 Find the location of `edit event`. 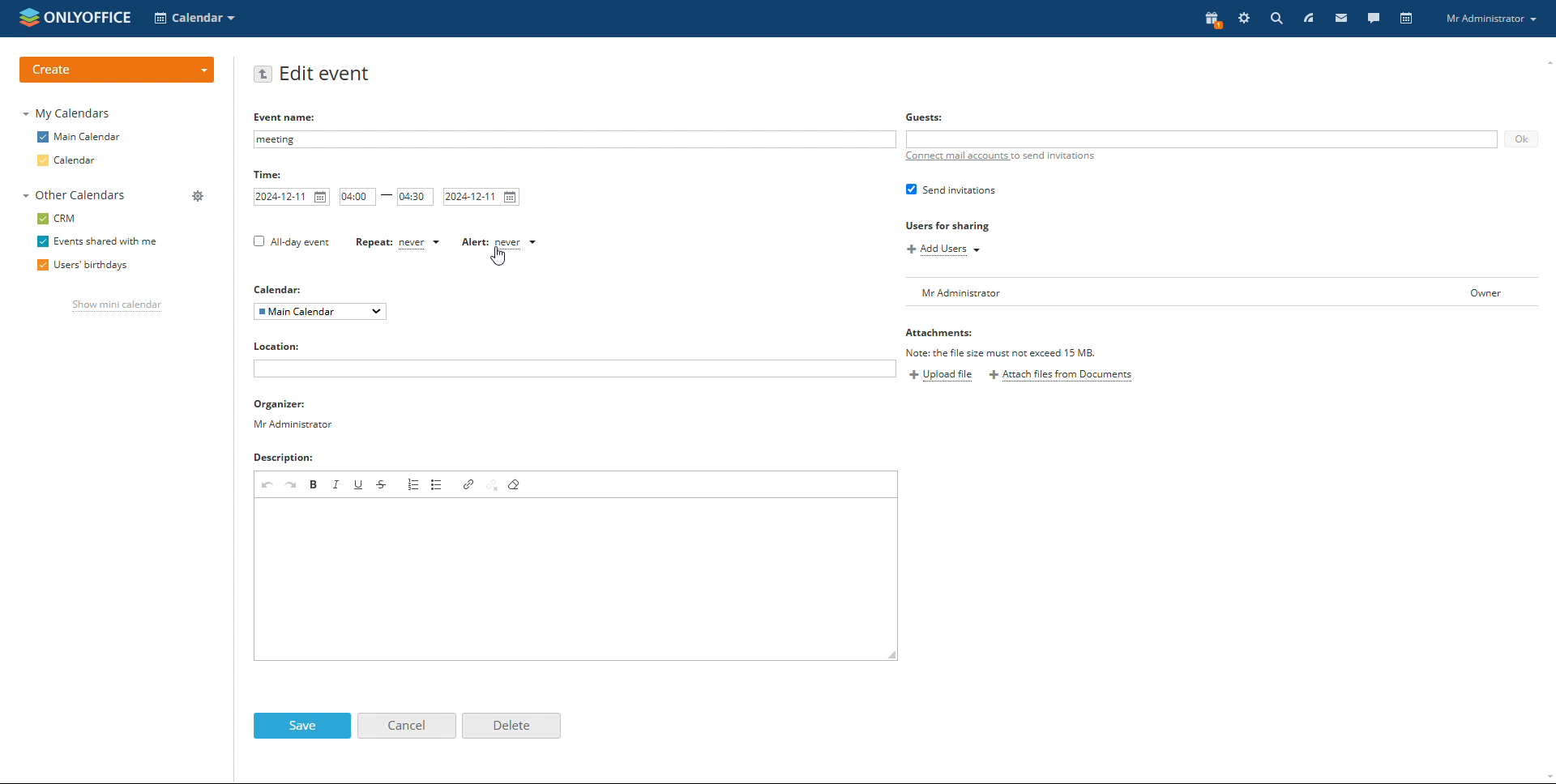

edit event is located at coordinates (327, 74).